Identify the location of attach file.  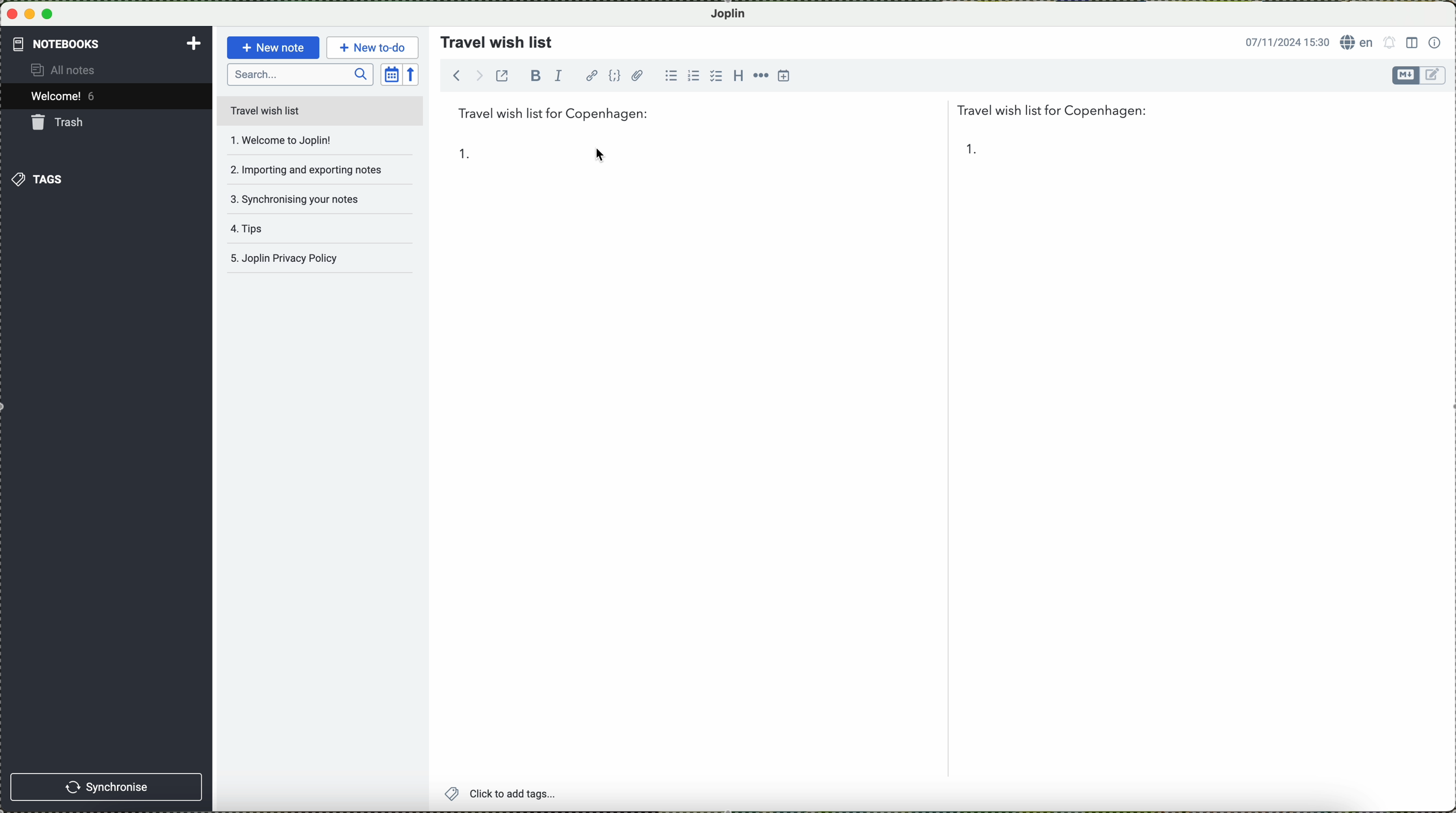
(638, 75).